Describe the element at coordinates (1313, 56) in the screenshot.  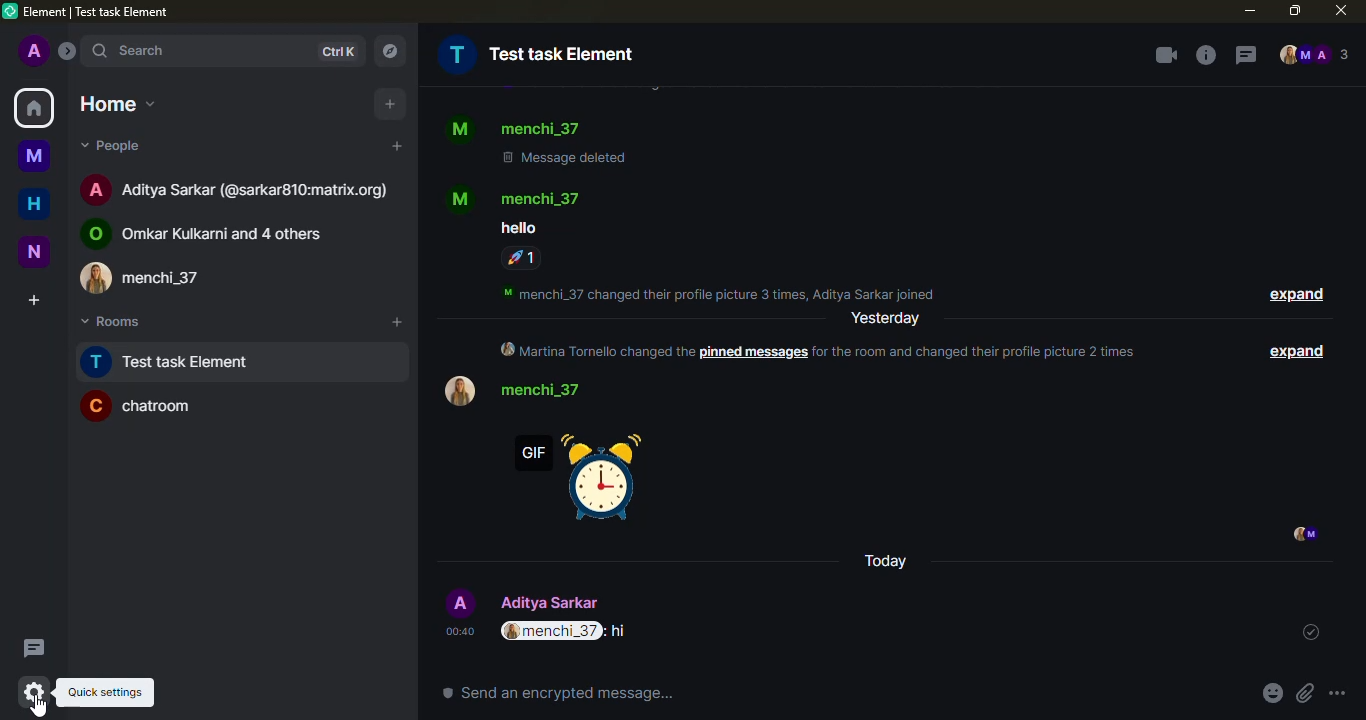
I see `people` at that location.